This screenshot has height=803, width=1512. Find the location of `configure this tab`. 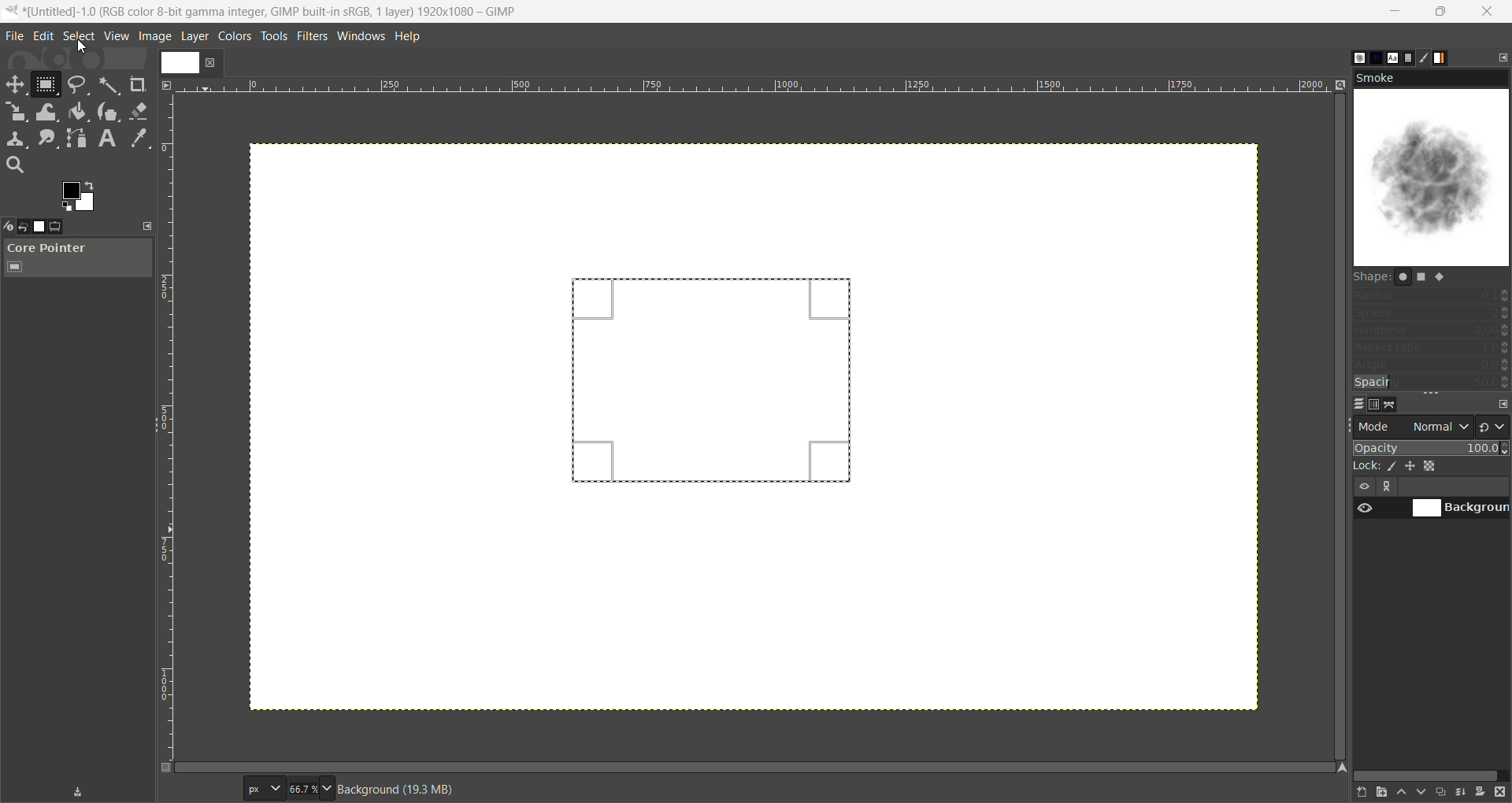

configure this tab is located at coordinates (1501, 57).